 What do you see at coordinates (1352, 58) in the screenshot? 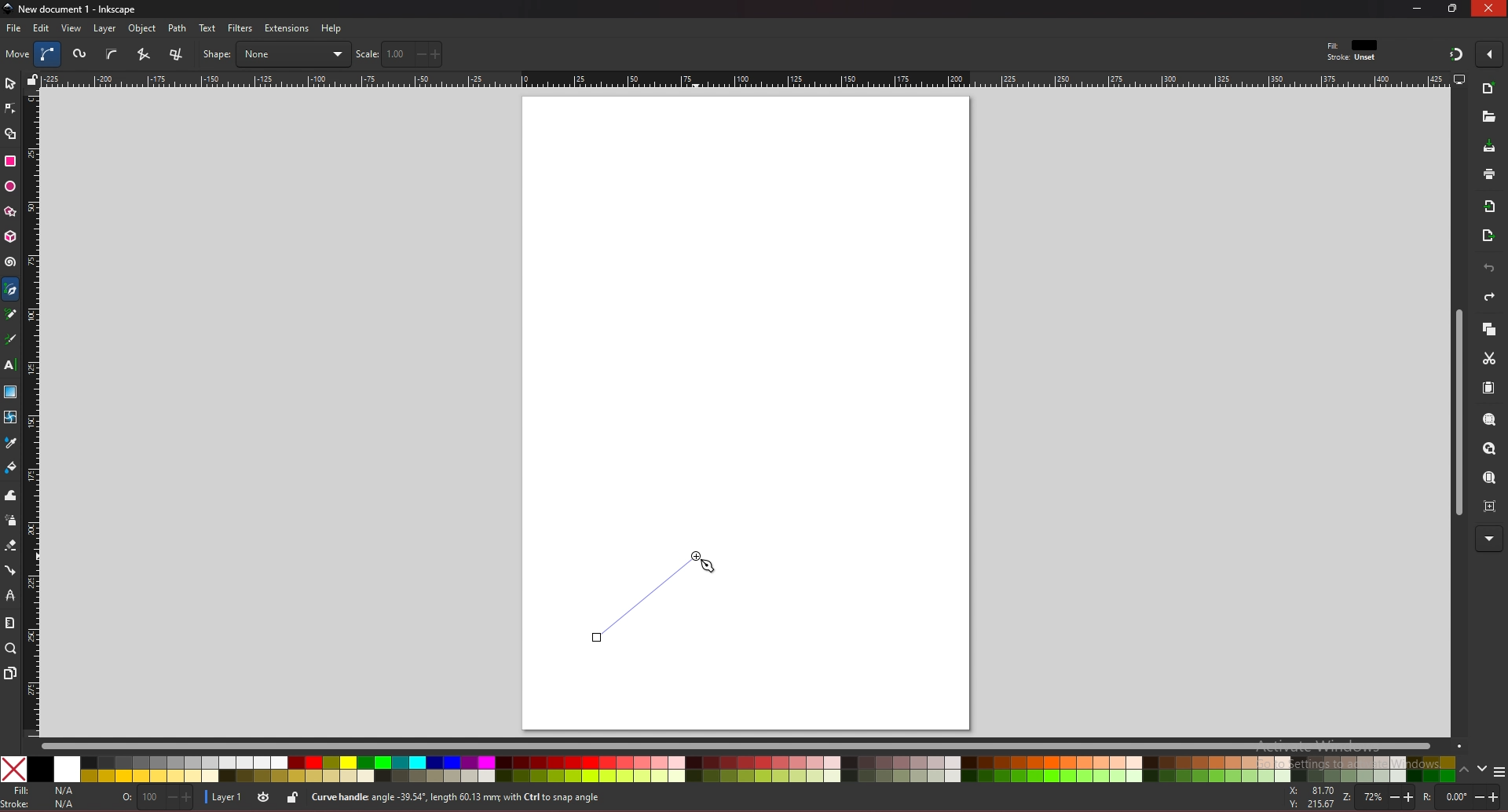
I see `stroke` at bounding box center [1352, 58].